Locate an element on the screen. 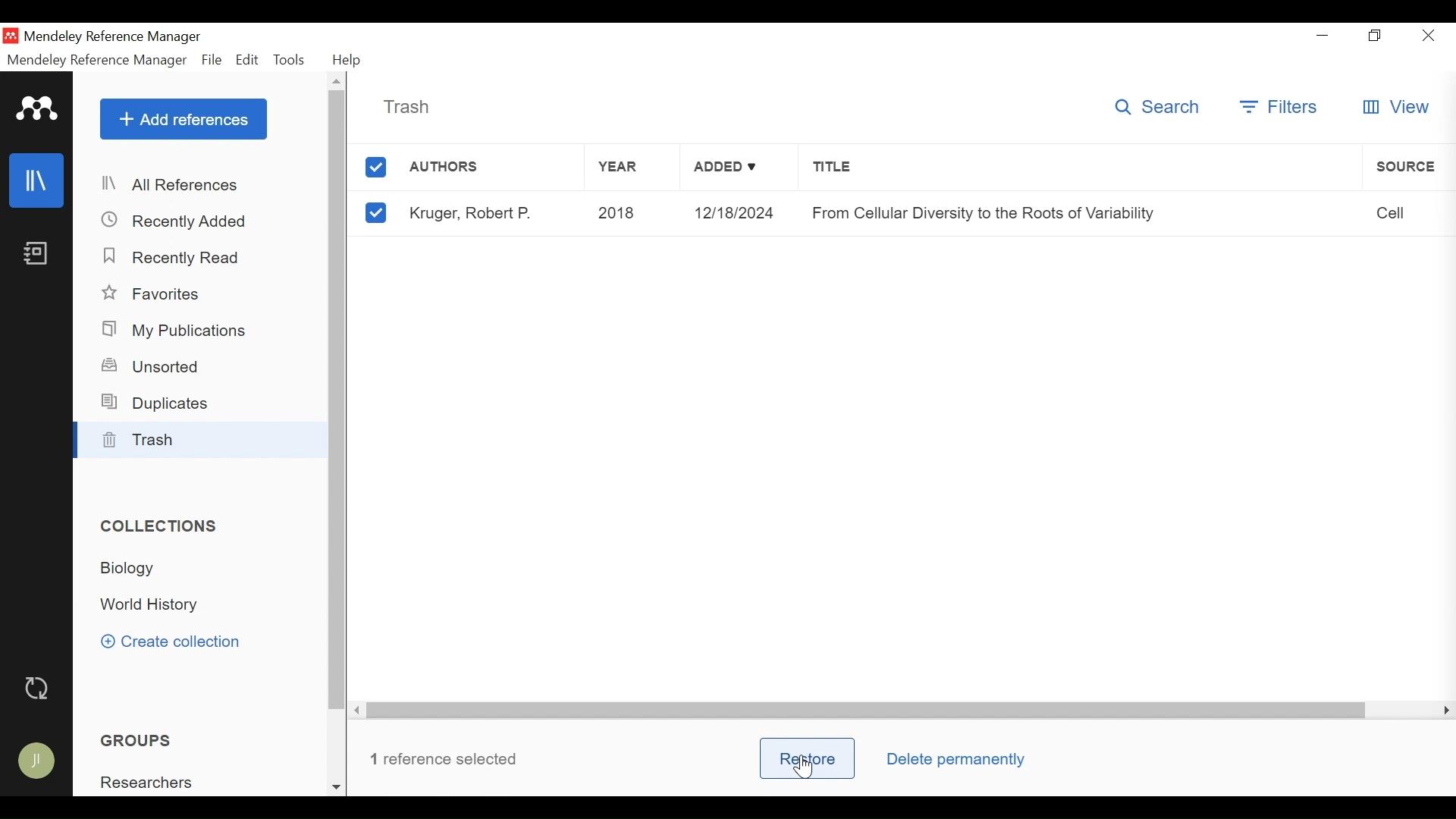  Authors is located at coordinates (492, 169).